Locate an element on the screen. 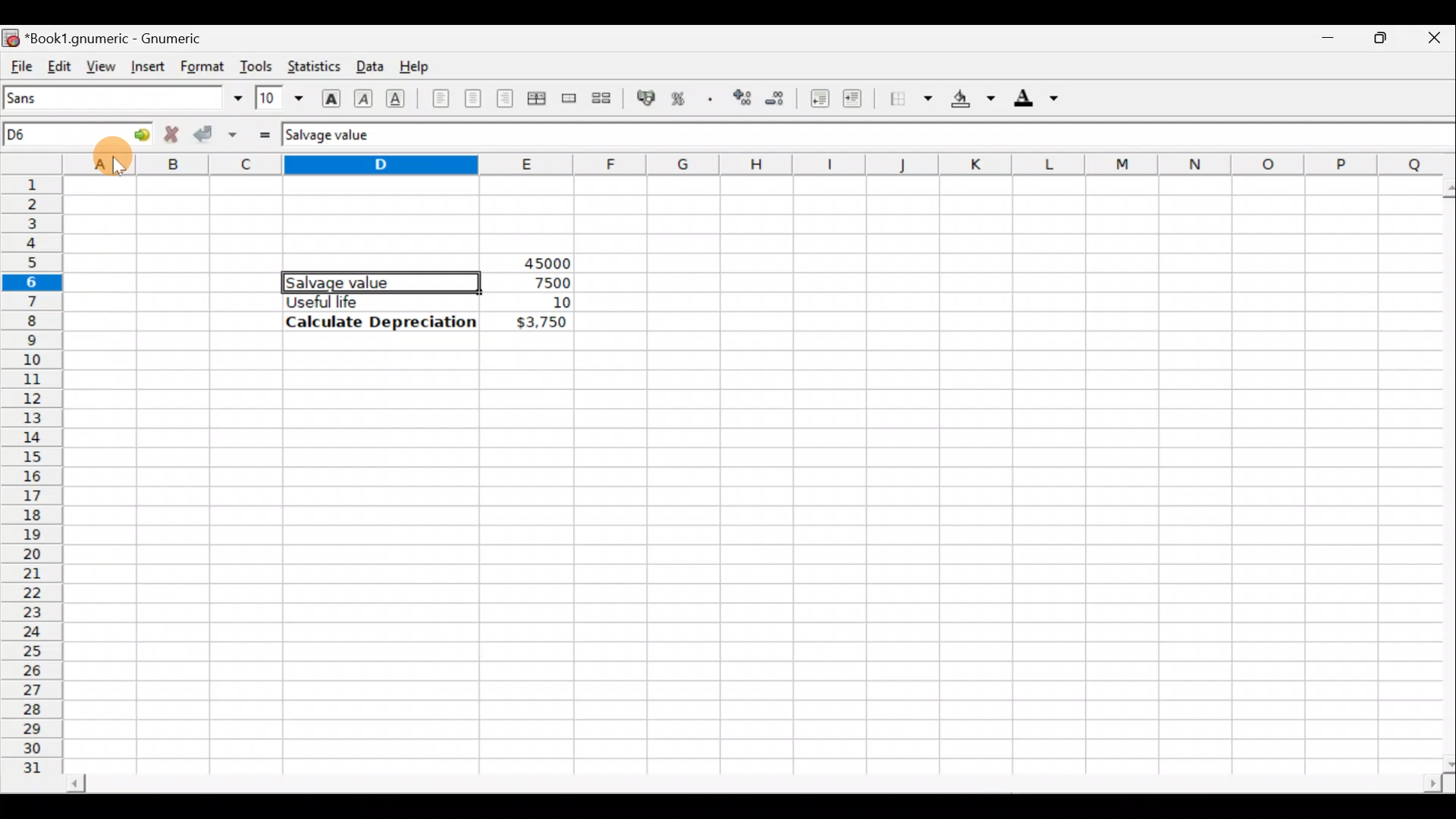  Align right is located at coordinates (504, 99).